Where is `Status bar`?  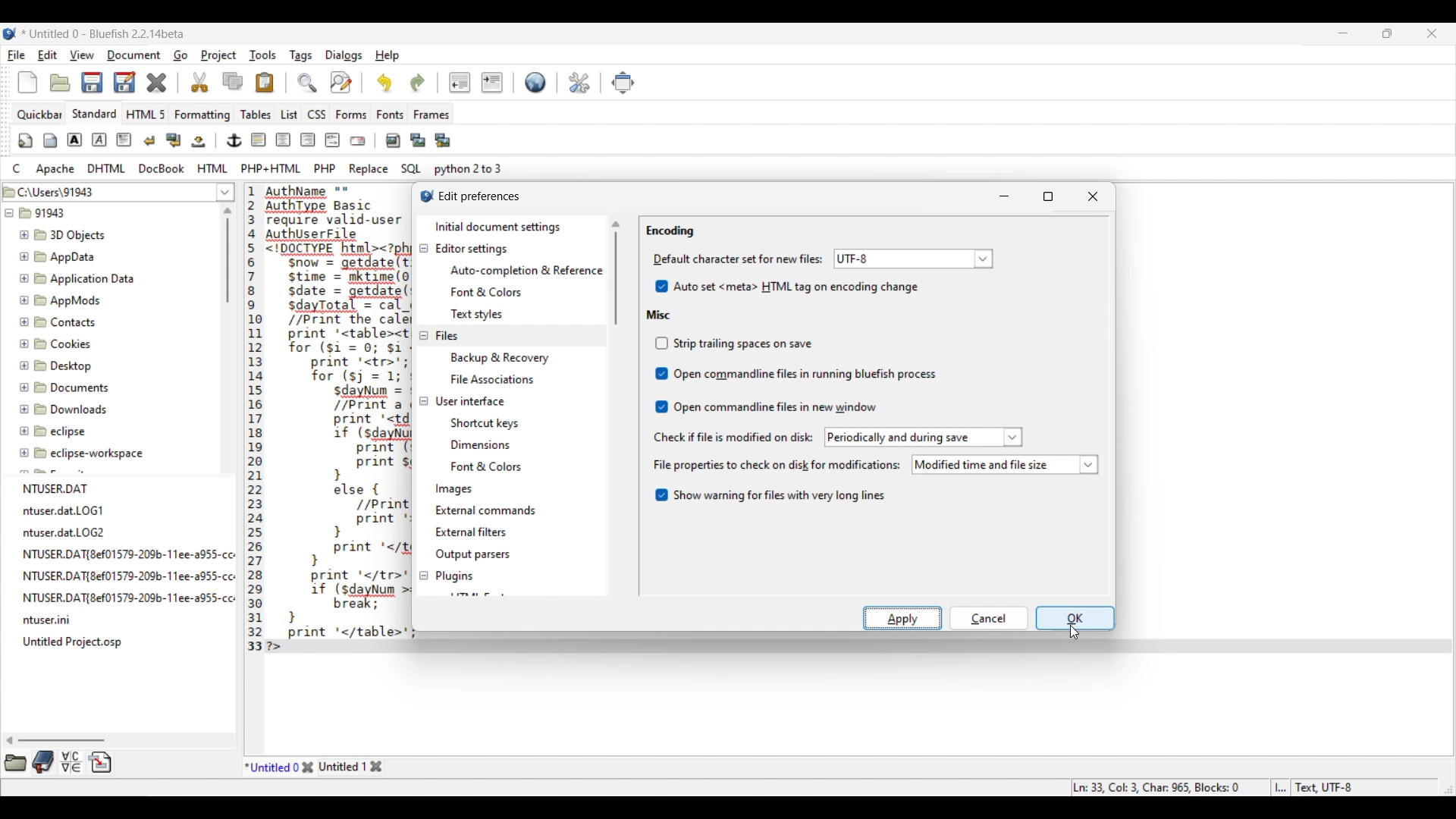 Status bar is located at coordinates (1214, 787).